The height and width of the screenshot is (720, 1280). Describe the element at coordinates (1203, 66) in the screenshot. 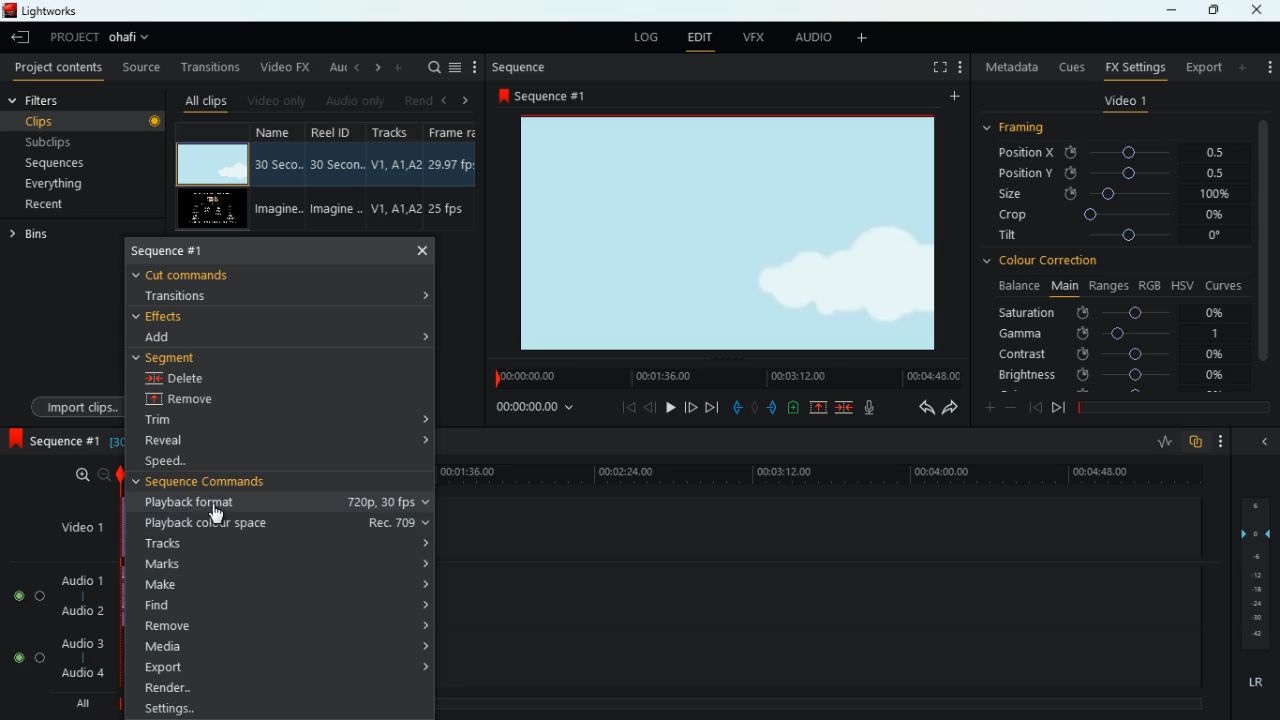

I see `export` at that location.